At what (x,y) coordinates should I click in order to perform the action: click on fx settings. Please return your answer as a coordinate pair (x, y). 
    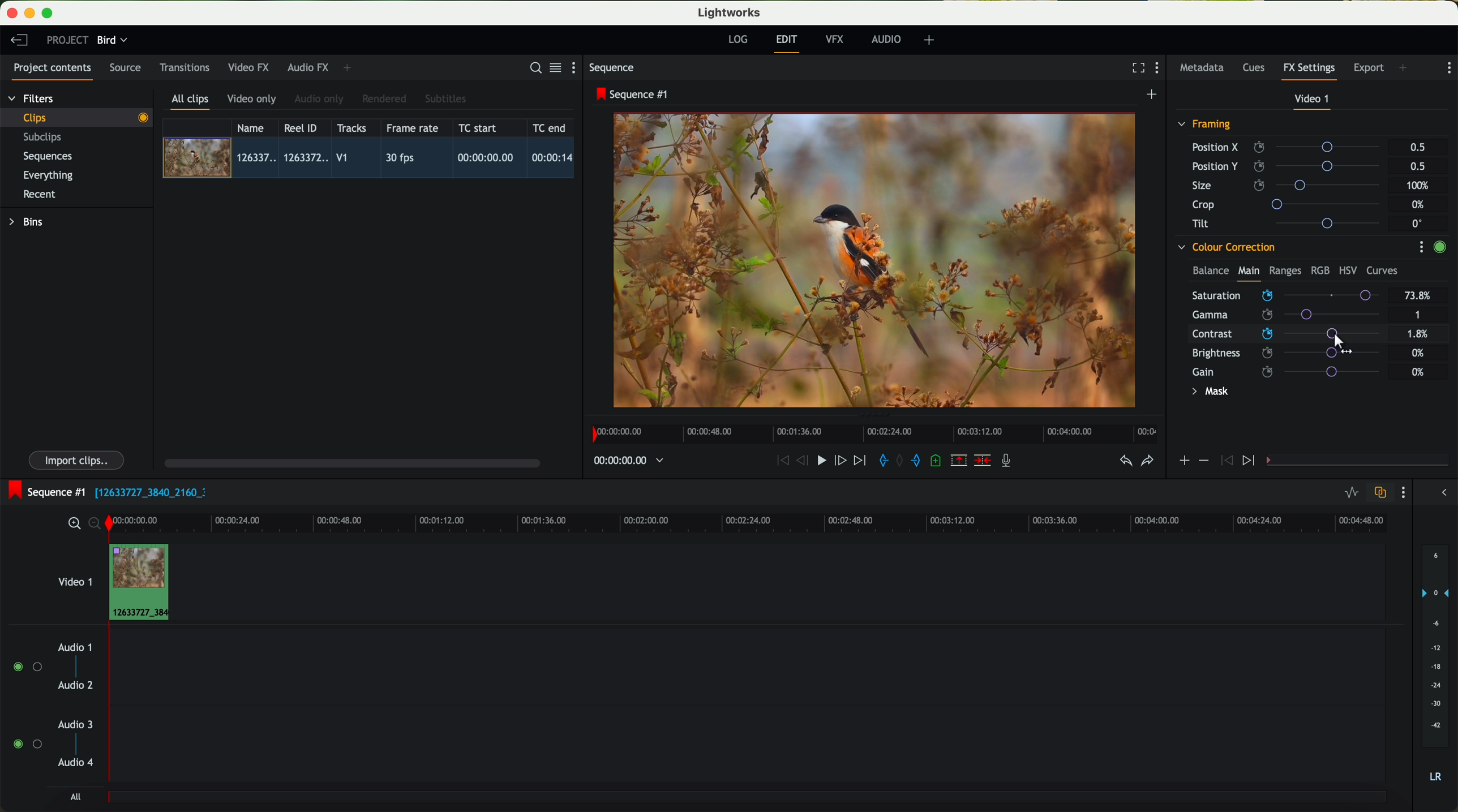
    Looking at the image, I should click on (1309, 71).